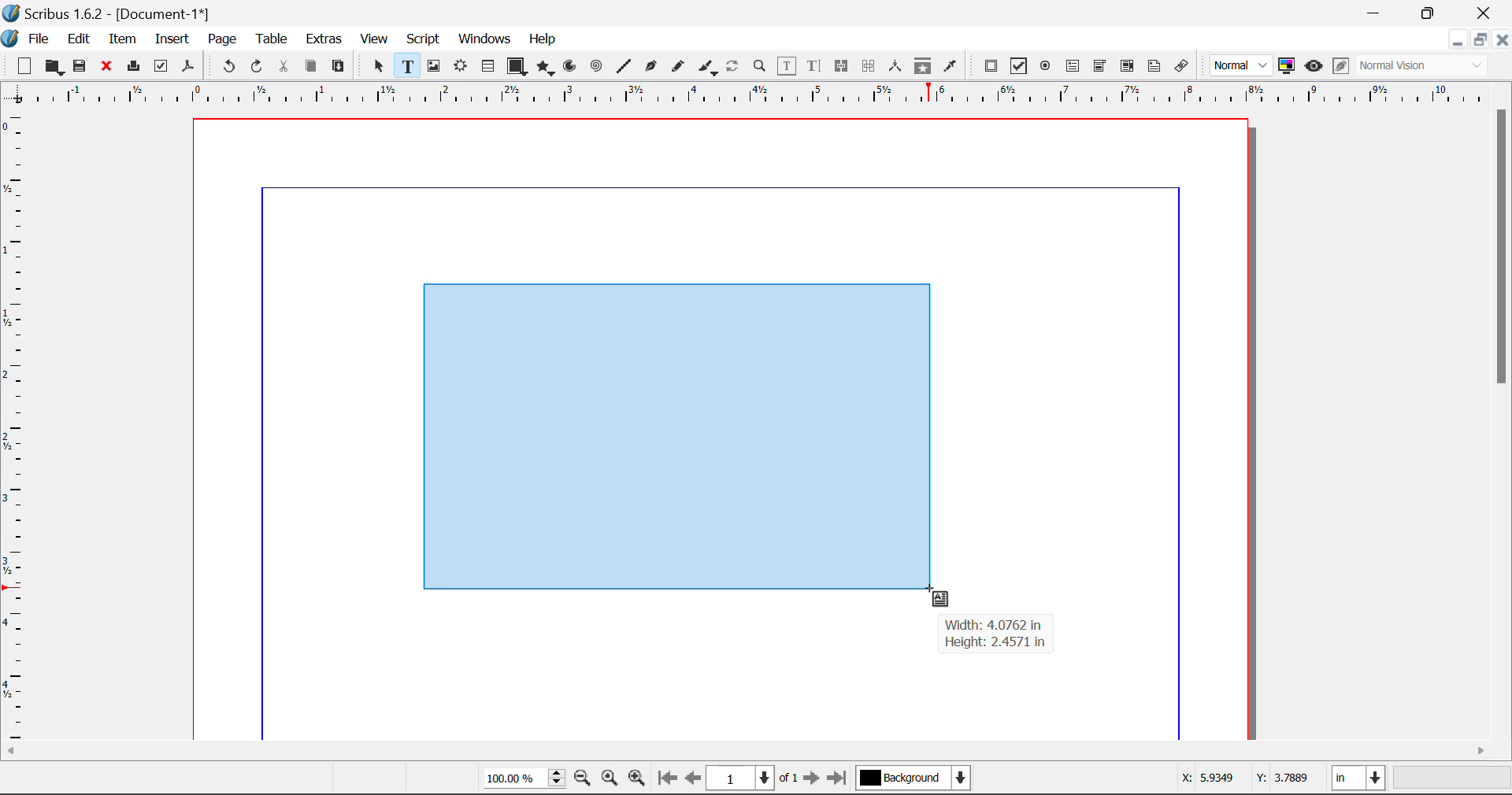 The width and height of the screenshot is (1512, 795). Describe the element at coordinates (787, 65) in the screenshot. I see `Edit Contents of Frame` at that location.